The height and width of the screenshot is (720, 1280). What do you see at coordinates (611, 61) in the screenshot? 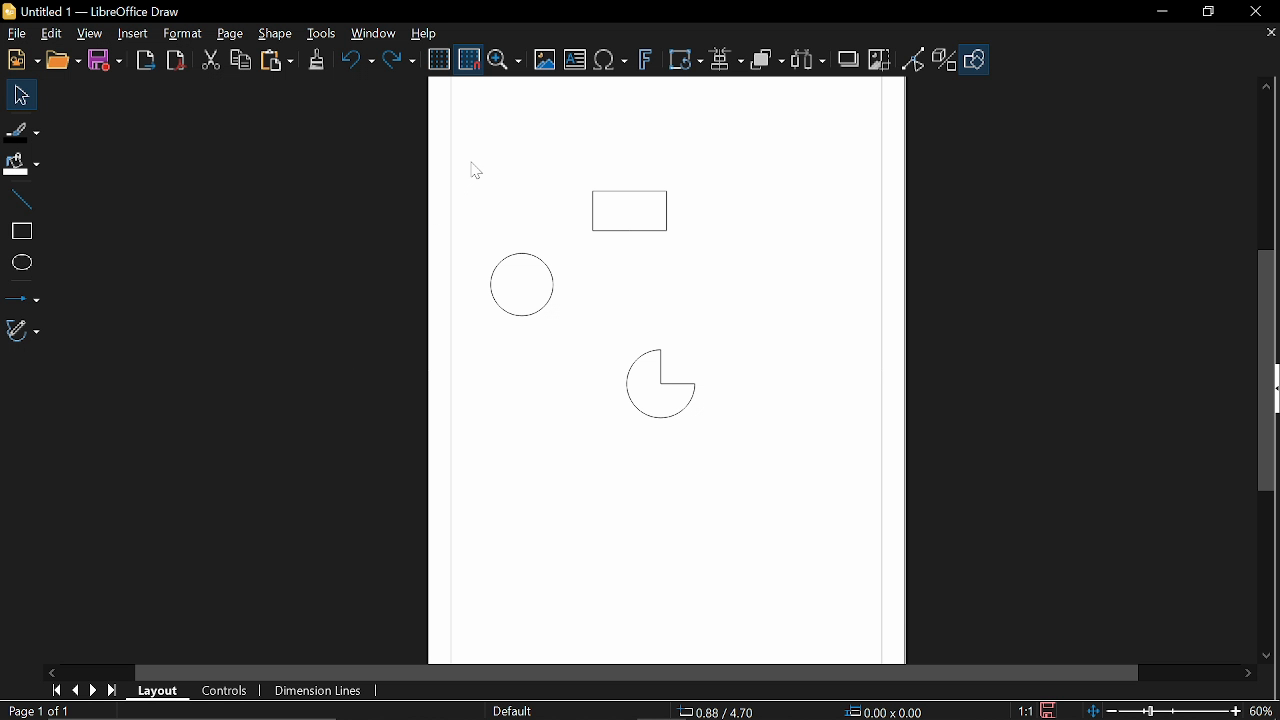
I see `Insert text` at bounding box center [611, 61].